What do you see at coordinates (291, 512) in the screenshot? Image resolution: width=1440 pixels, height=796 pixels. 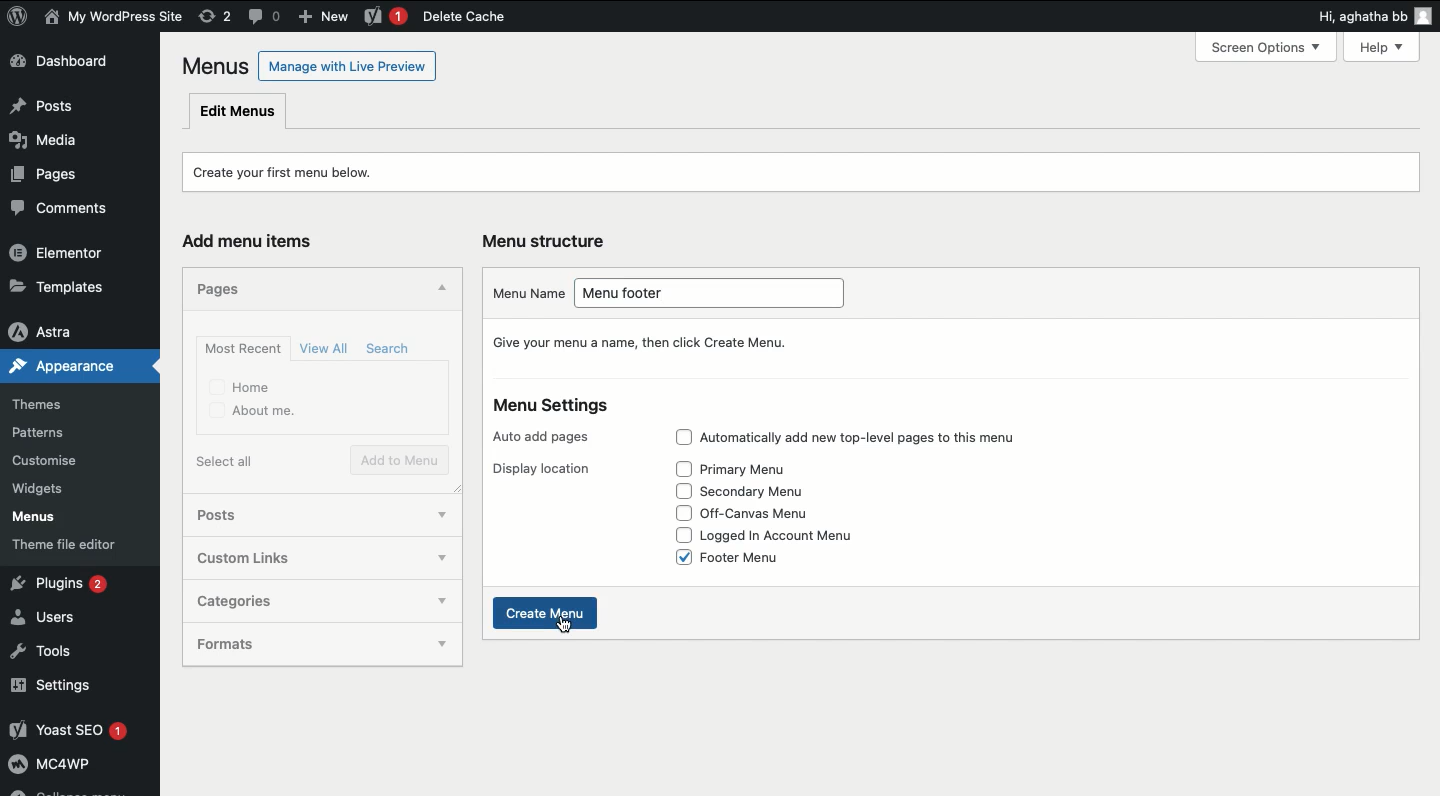 I see `Posts` at bounding box center [291, 512].